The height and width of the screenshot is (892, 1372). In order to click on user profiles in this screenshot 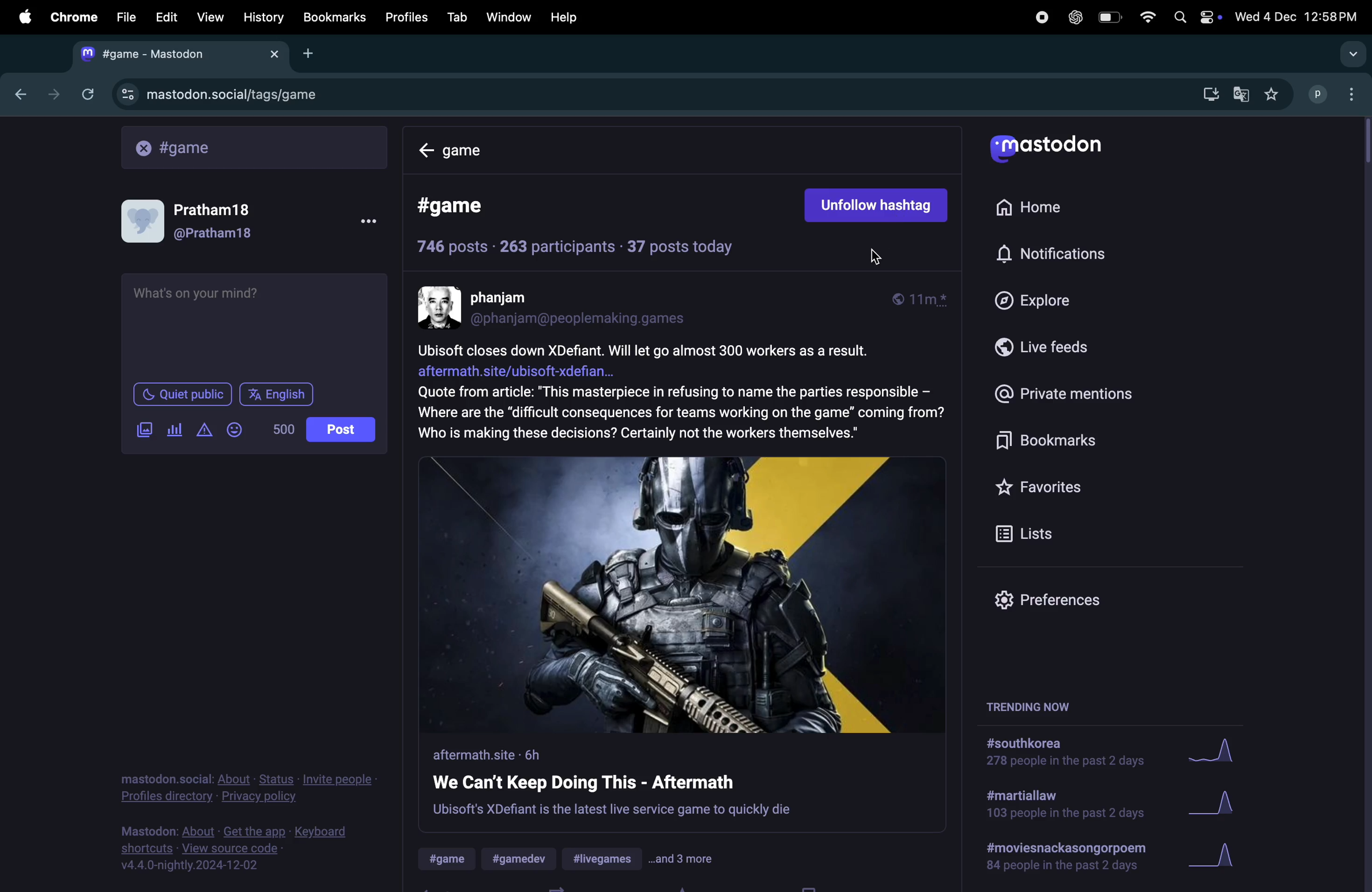, I will do `click(1333, 94)`.